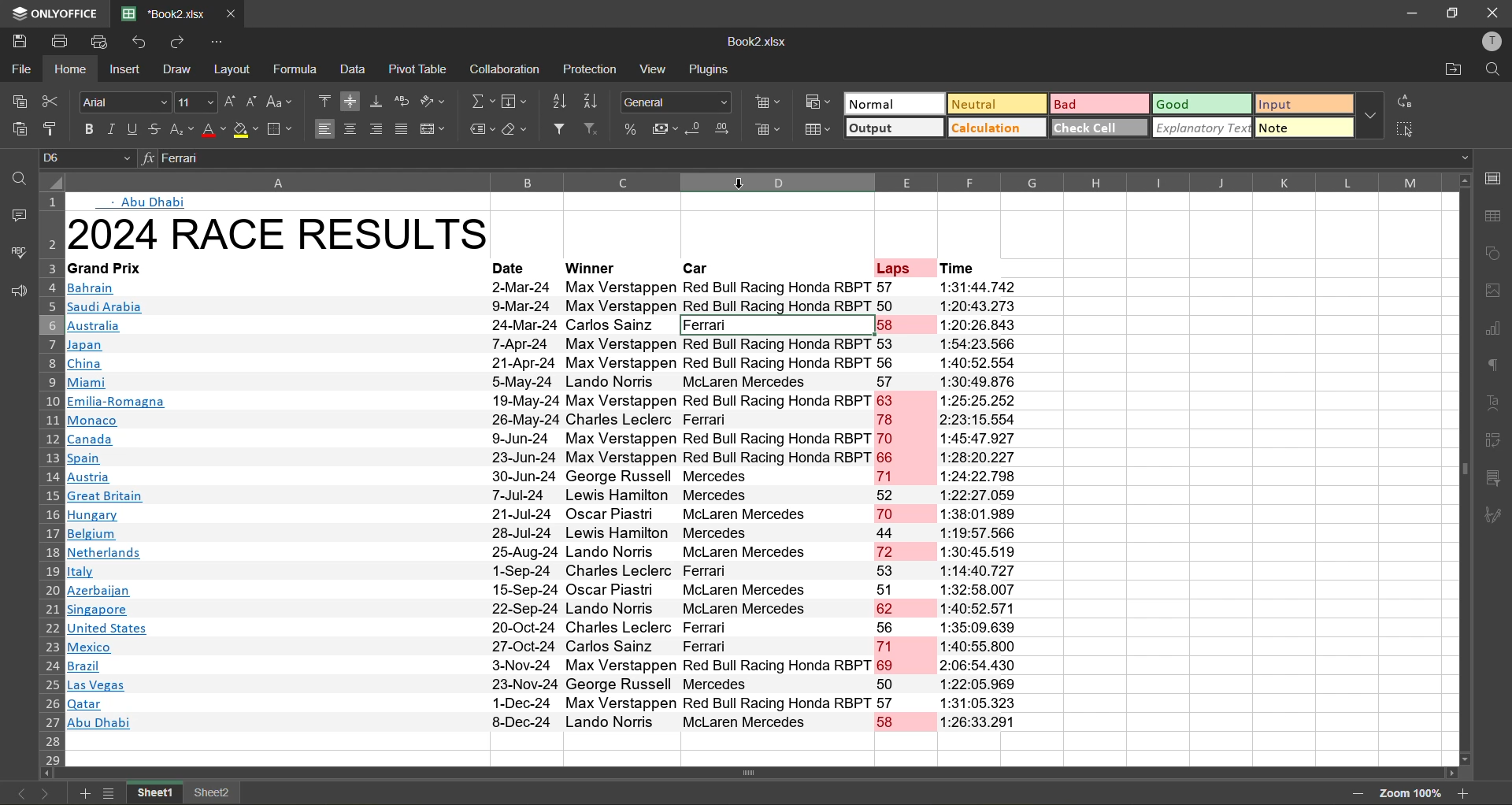 Image resolution: width=1512 pixels, height=805 pixels. I want to click on D6, so click(87, 160).